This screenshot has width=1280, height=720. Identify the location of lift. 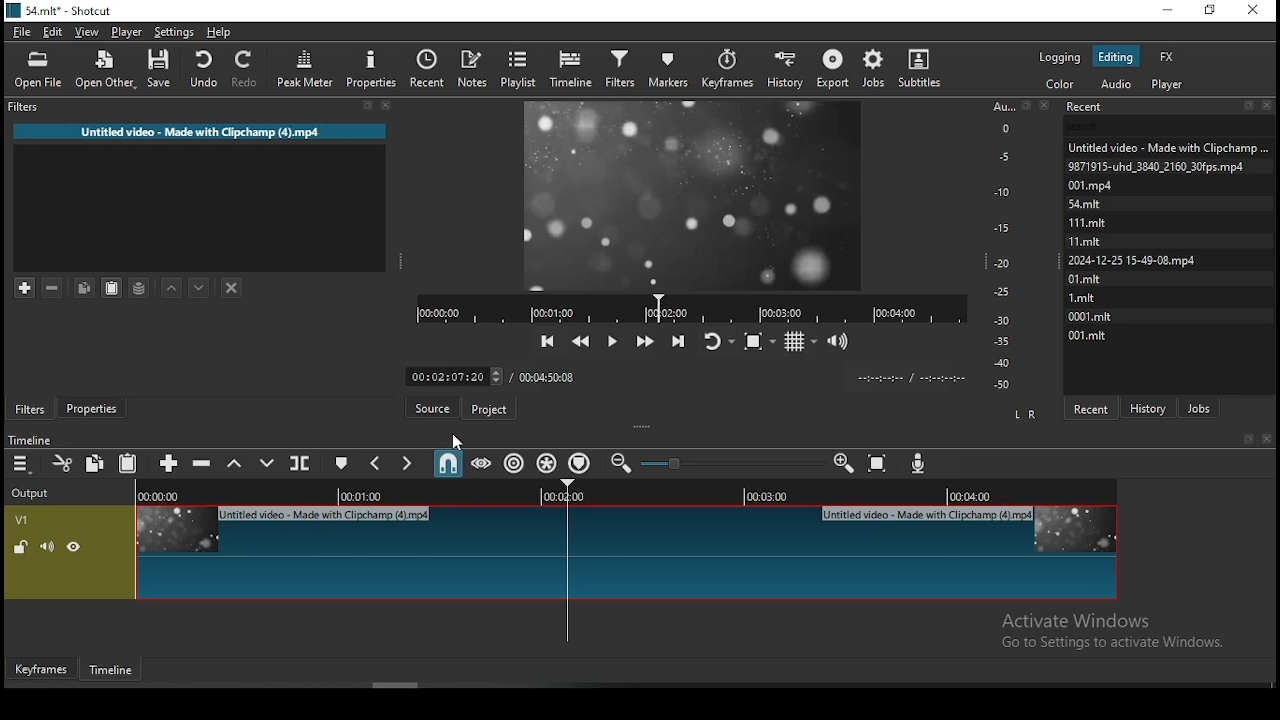
(234, 463).